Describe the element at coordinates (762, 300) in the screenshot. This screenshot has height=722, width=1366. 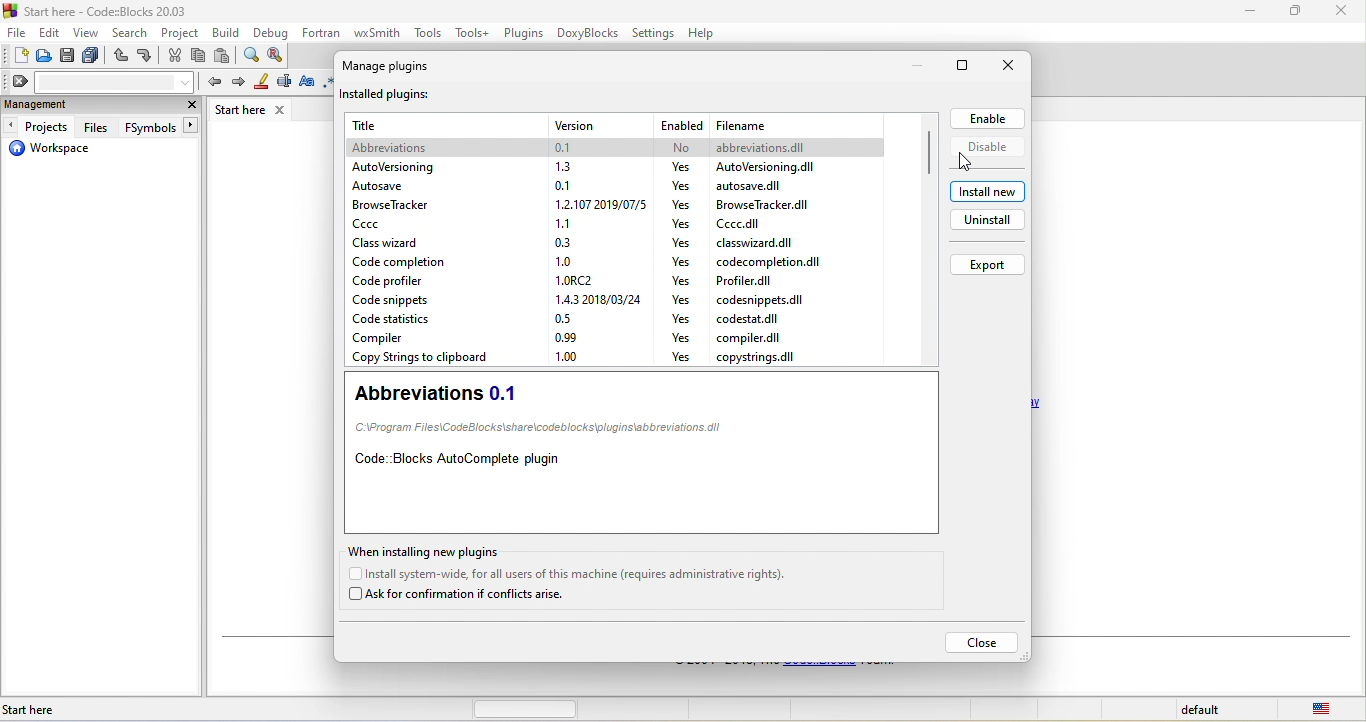
I see `file` at that location.